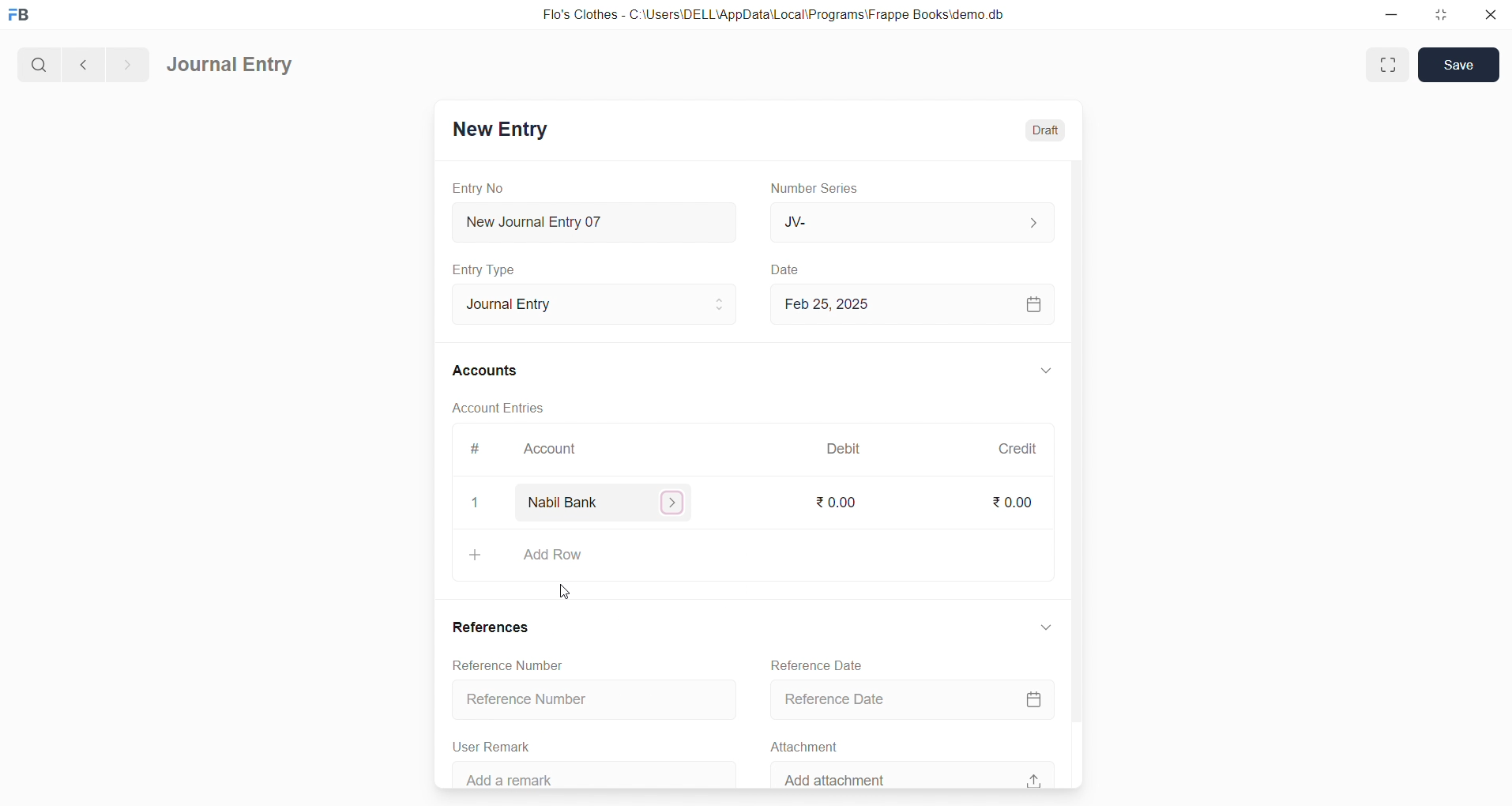  Describe the element at coordinates (819, 189) in the screenshot. I see `Number Series` at that location.